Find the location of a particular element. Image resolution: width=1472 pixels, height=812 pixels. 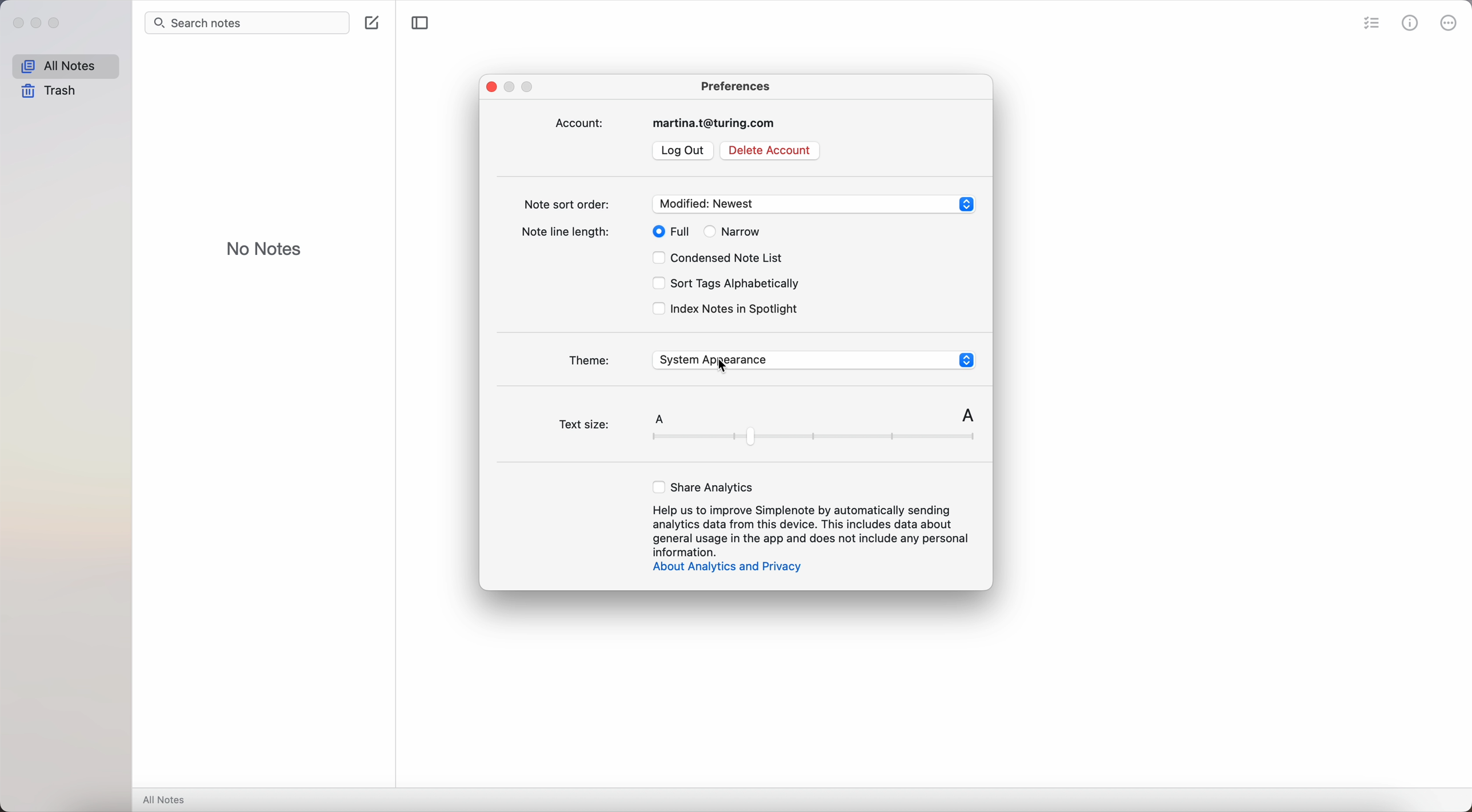

text size is located at coordinates (769, 426).